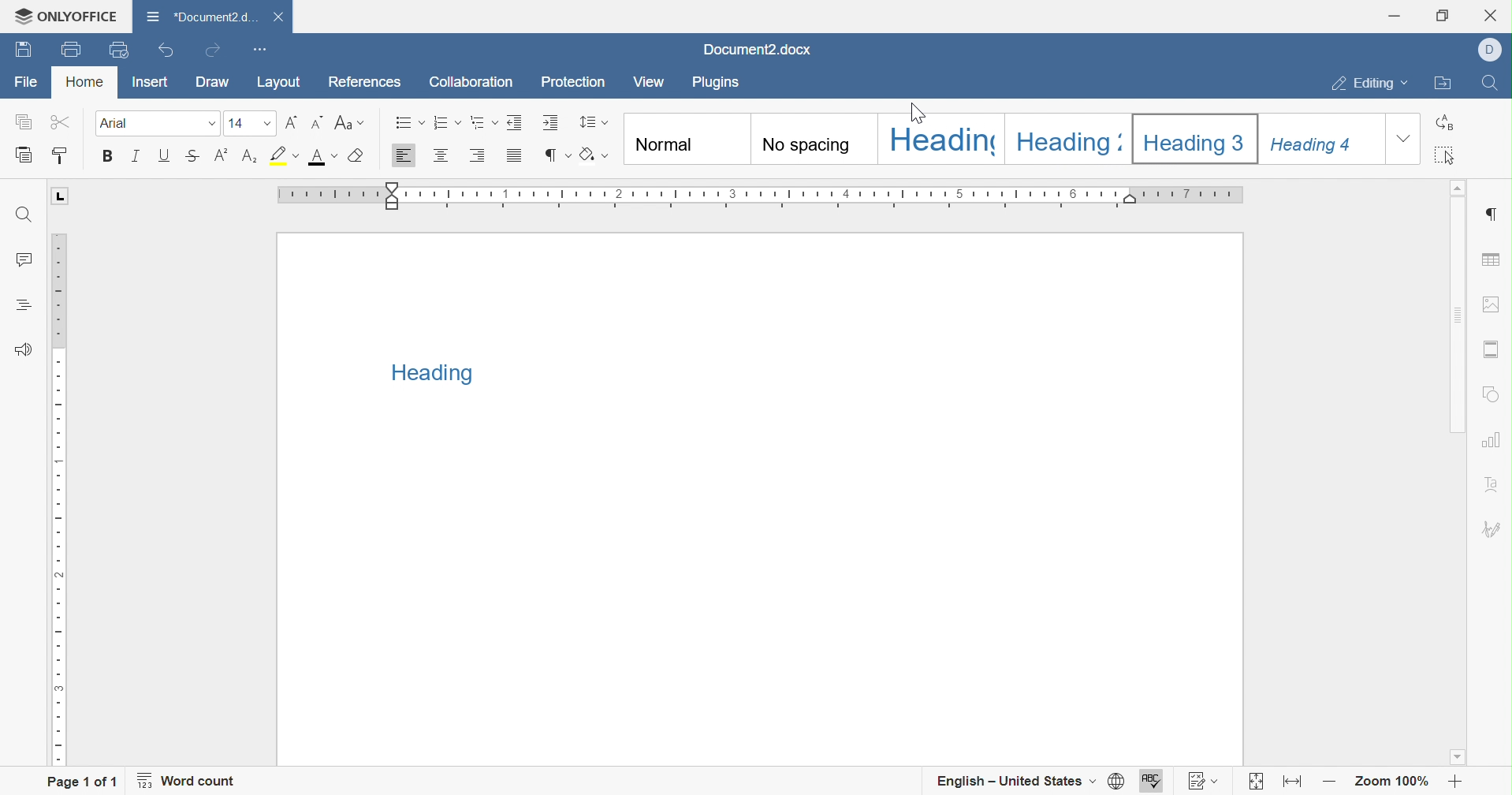 The height and width of the screenshot is (795, 1512). I want to click on Arial, so click(140, 124).